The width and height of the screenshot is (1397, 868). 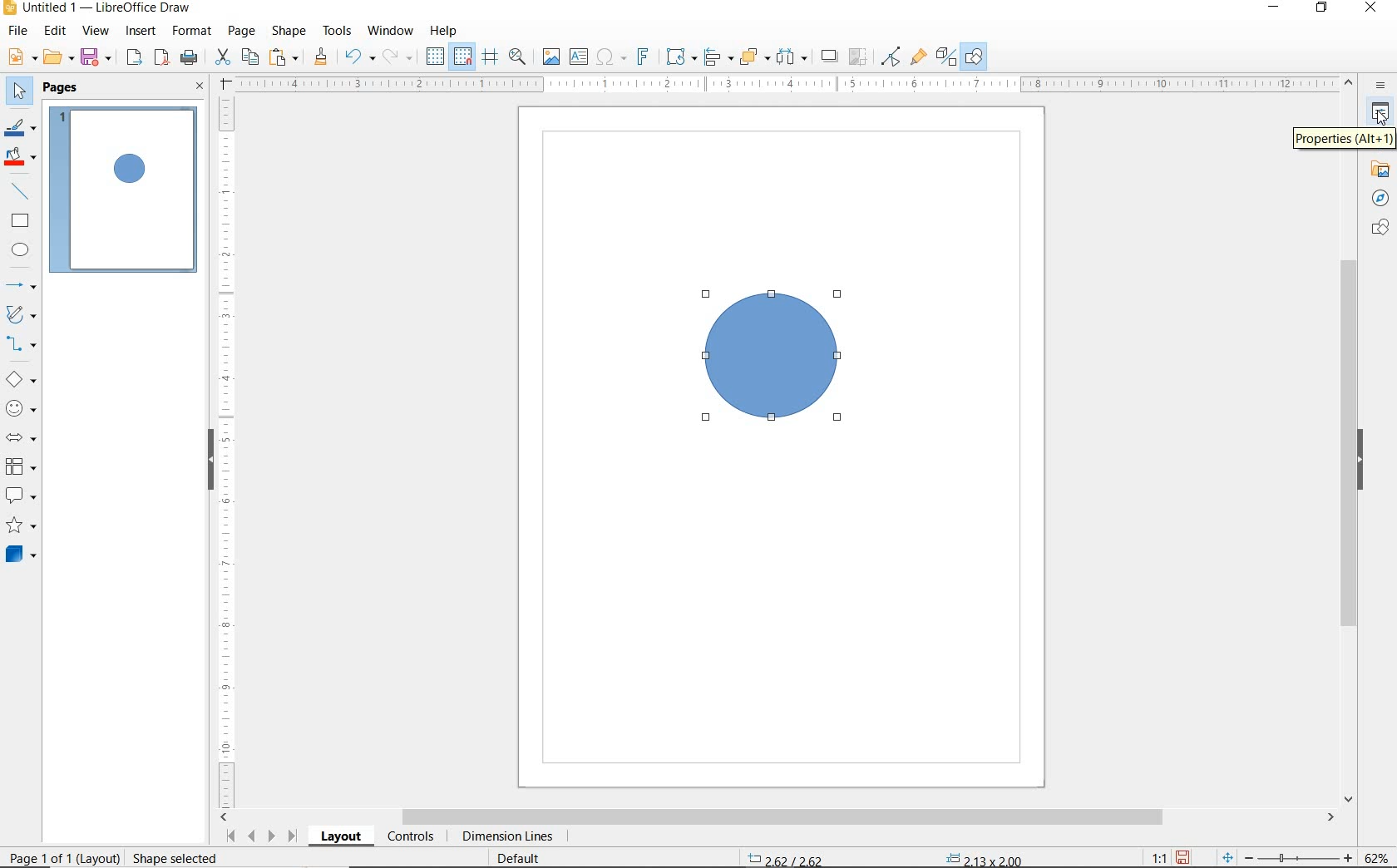 I want to click on INSERT IMAGE, so click(x=549, y=57).